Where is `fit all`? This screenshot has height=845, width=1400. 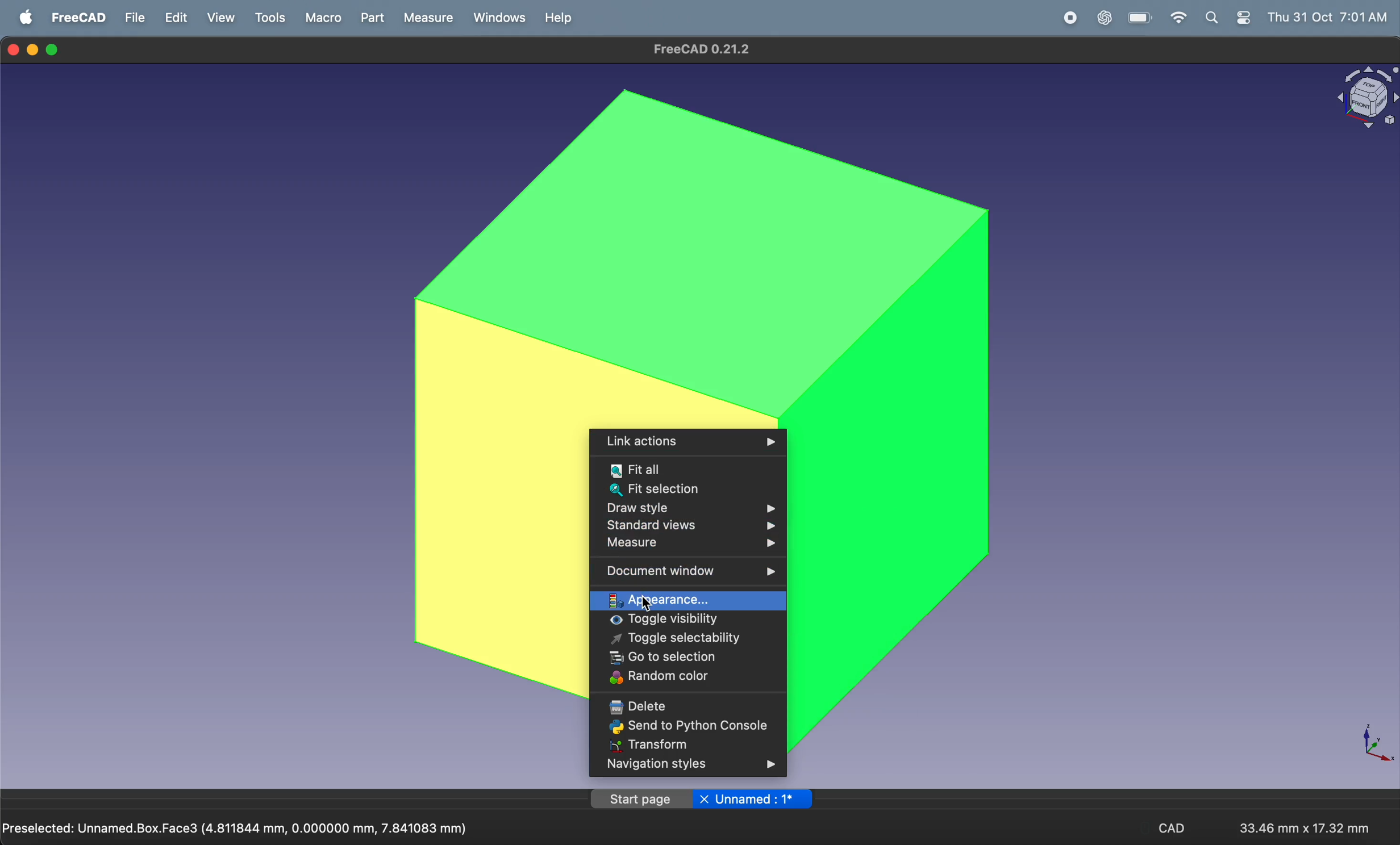 fit all is located at coordinates (686, 468).